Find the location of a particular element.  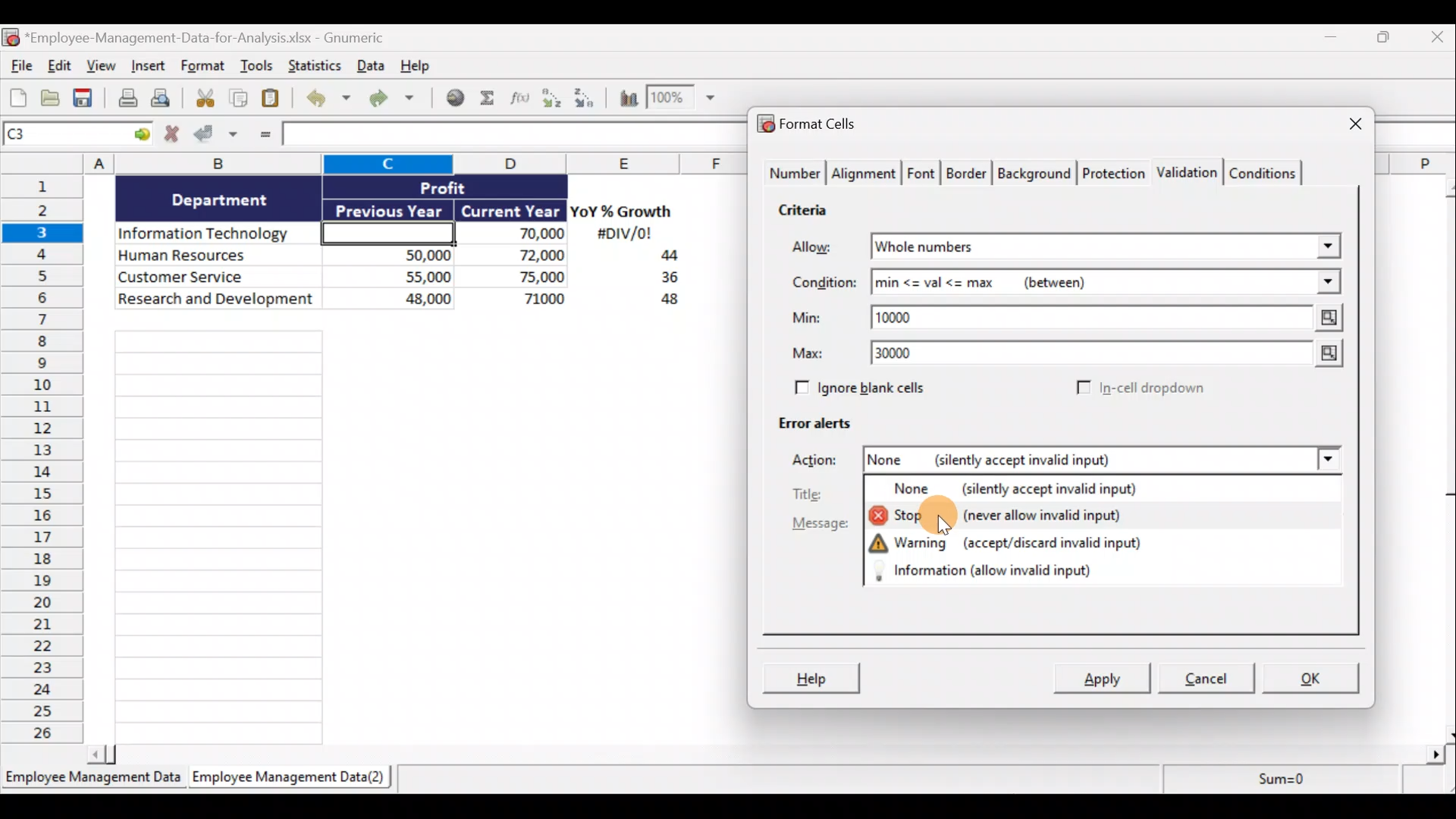

36 is located at coordinates (664, 280).